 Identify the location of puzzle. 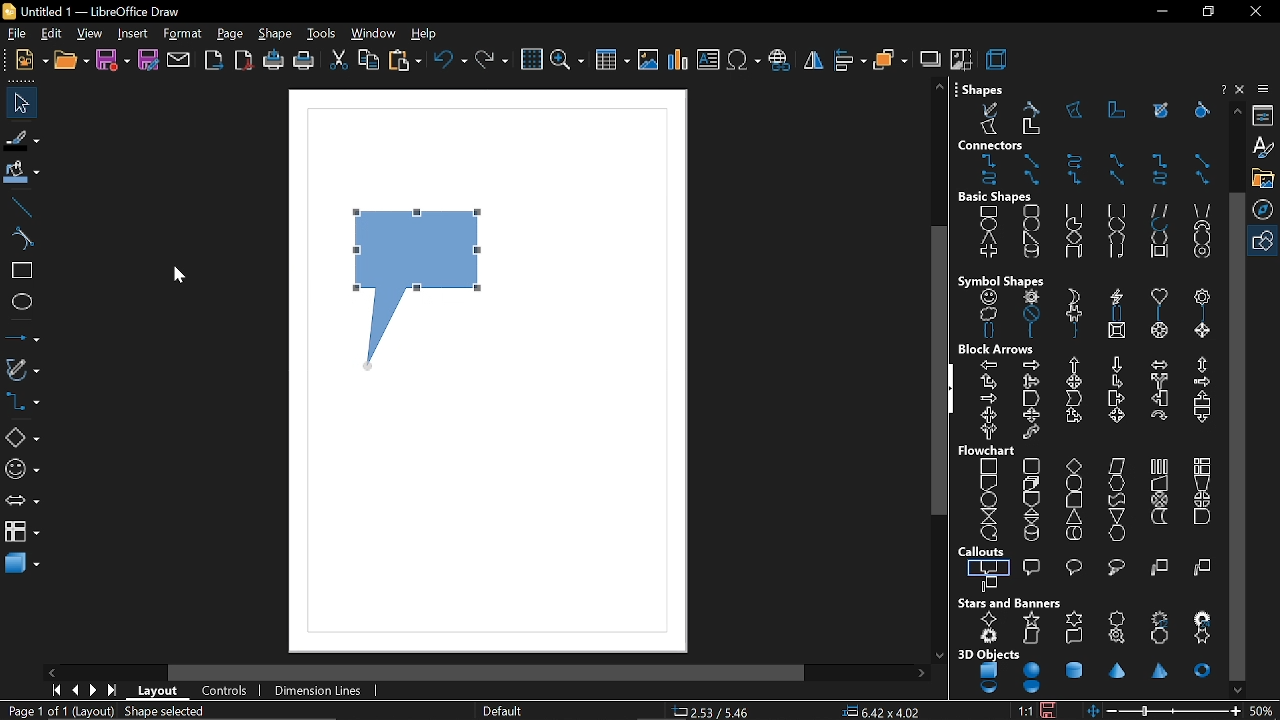
(1072, 314).